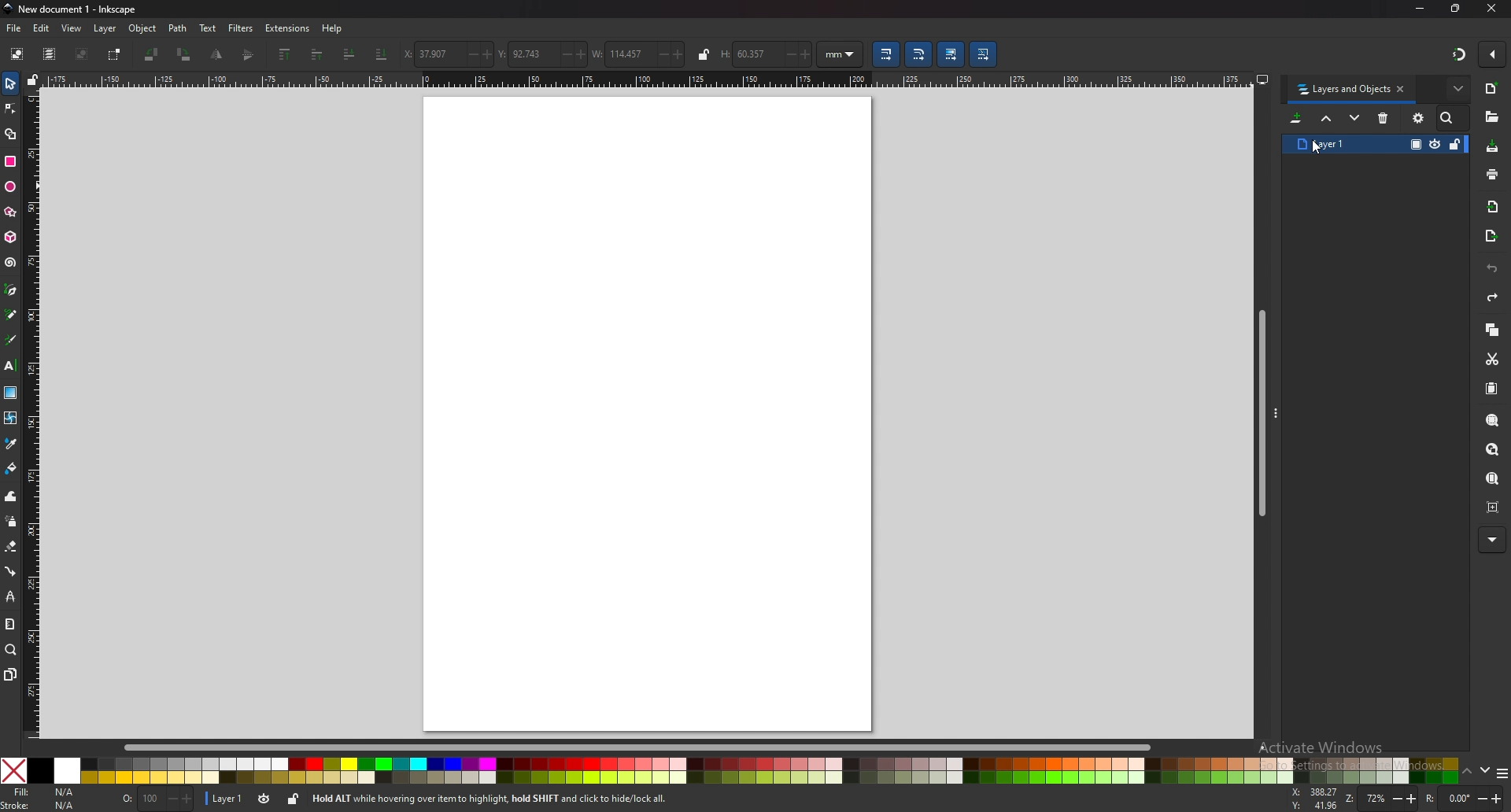  I want to click on resize, so click(1456, 8).